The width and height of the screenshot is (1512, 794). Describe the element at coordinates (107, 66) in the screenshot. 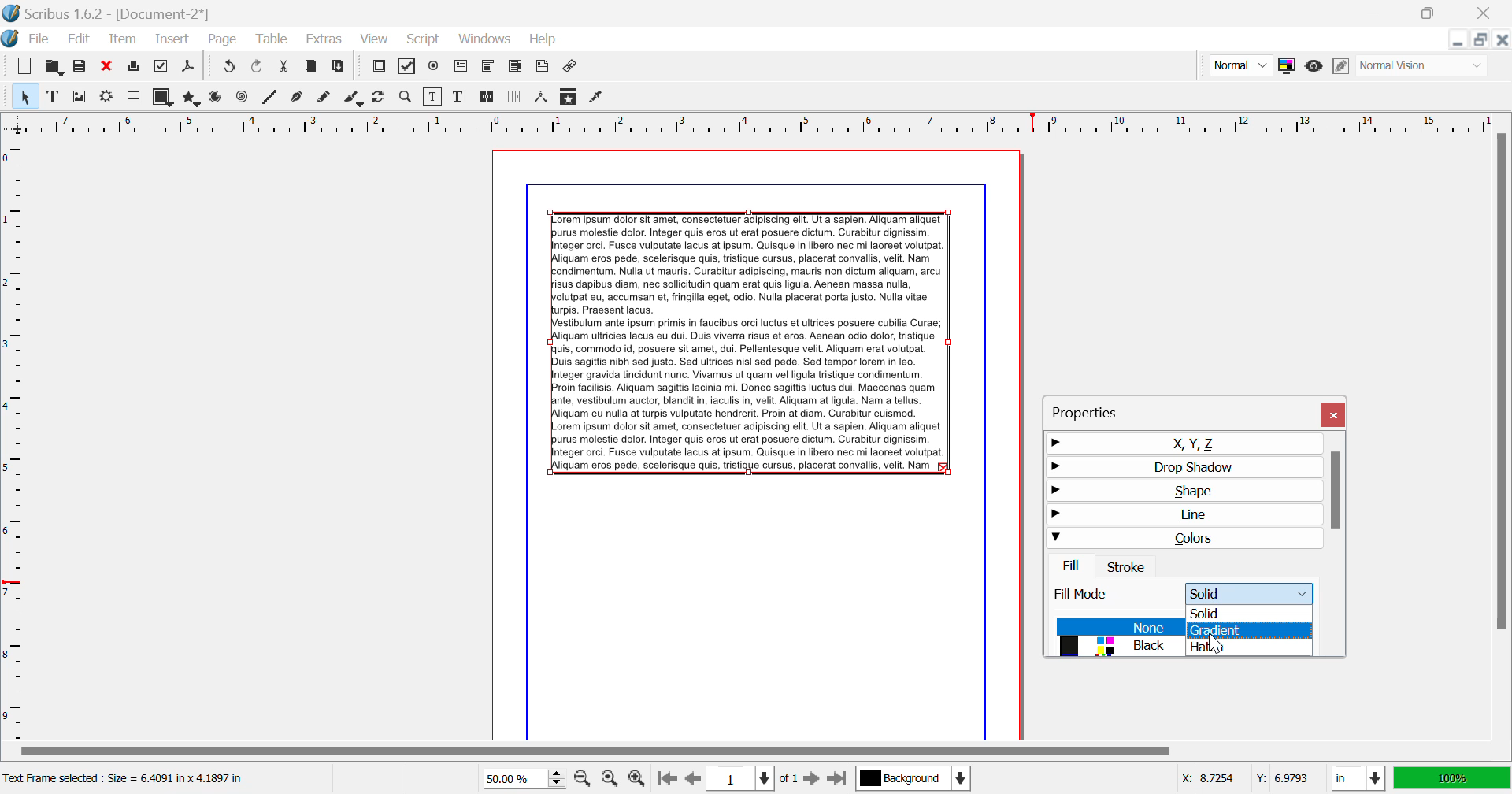

I see `Discard` at that location.